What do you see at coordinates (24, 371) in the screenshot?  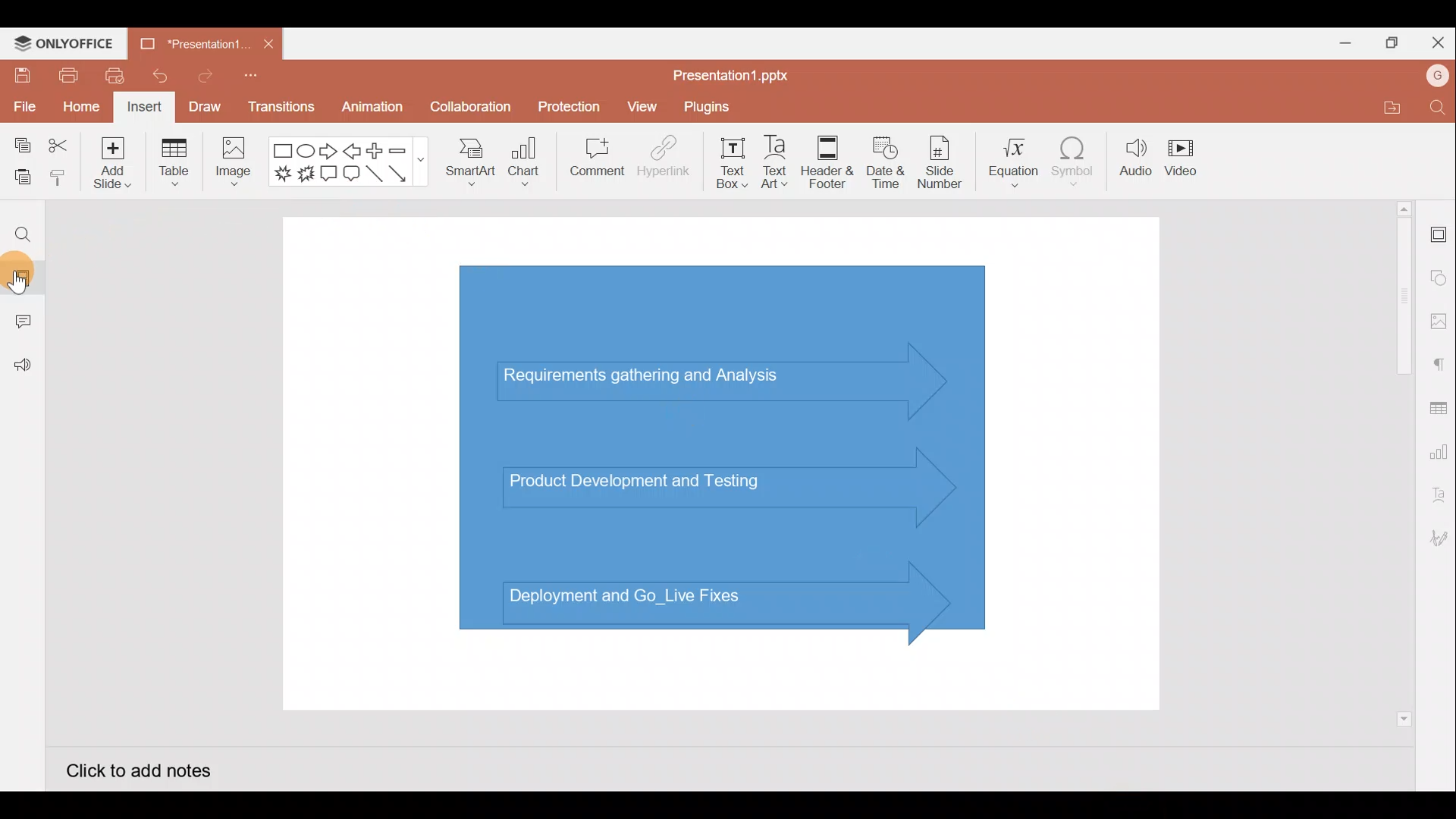 I see `Feedback & support` at bounding box center [24, 371].